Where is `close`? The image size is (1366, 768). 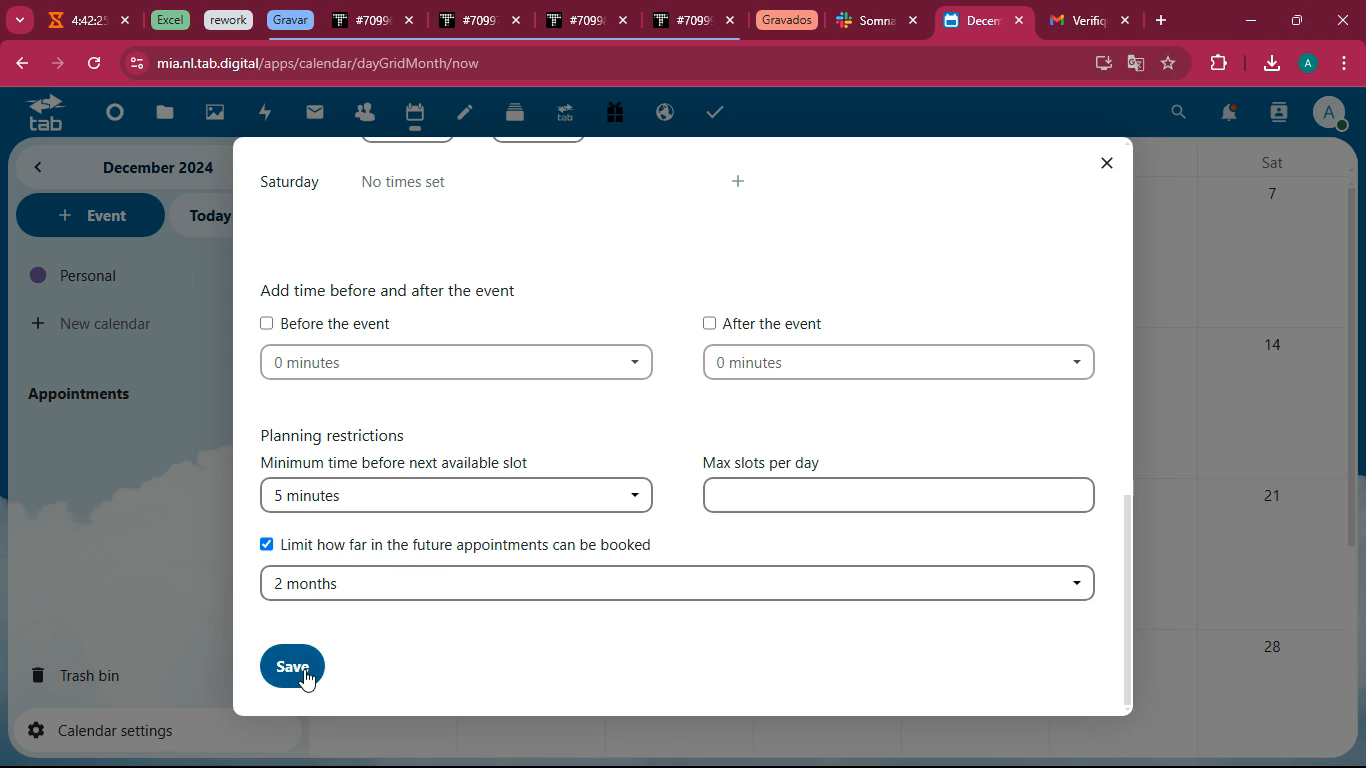
close is located at coordinates (411, 23).